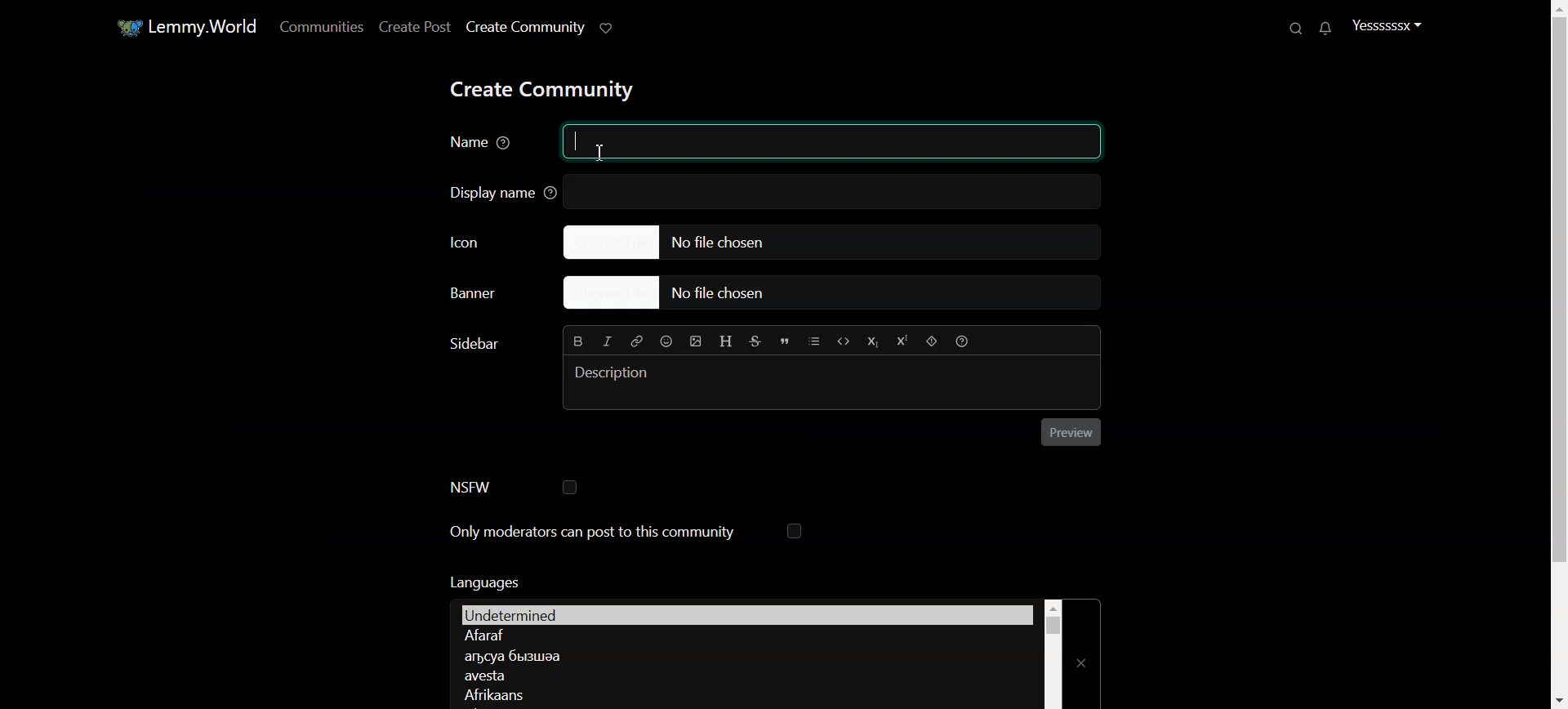 This screenshot has height=709, width=1568. What do you see at coordinates (961, 341) in the screenshot?
I see `Formatting Help` at bounding box center [961, 341].